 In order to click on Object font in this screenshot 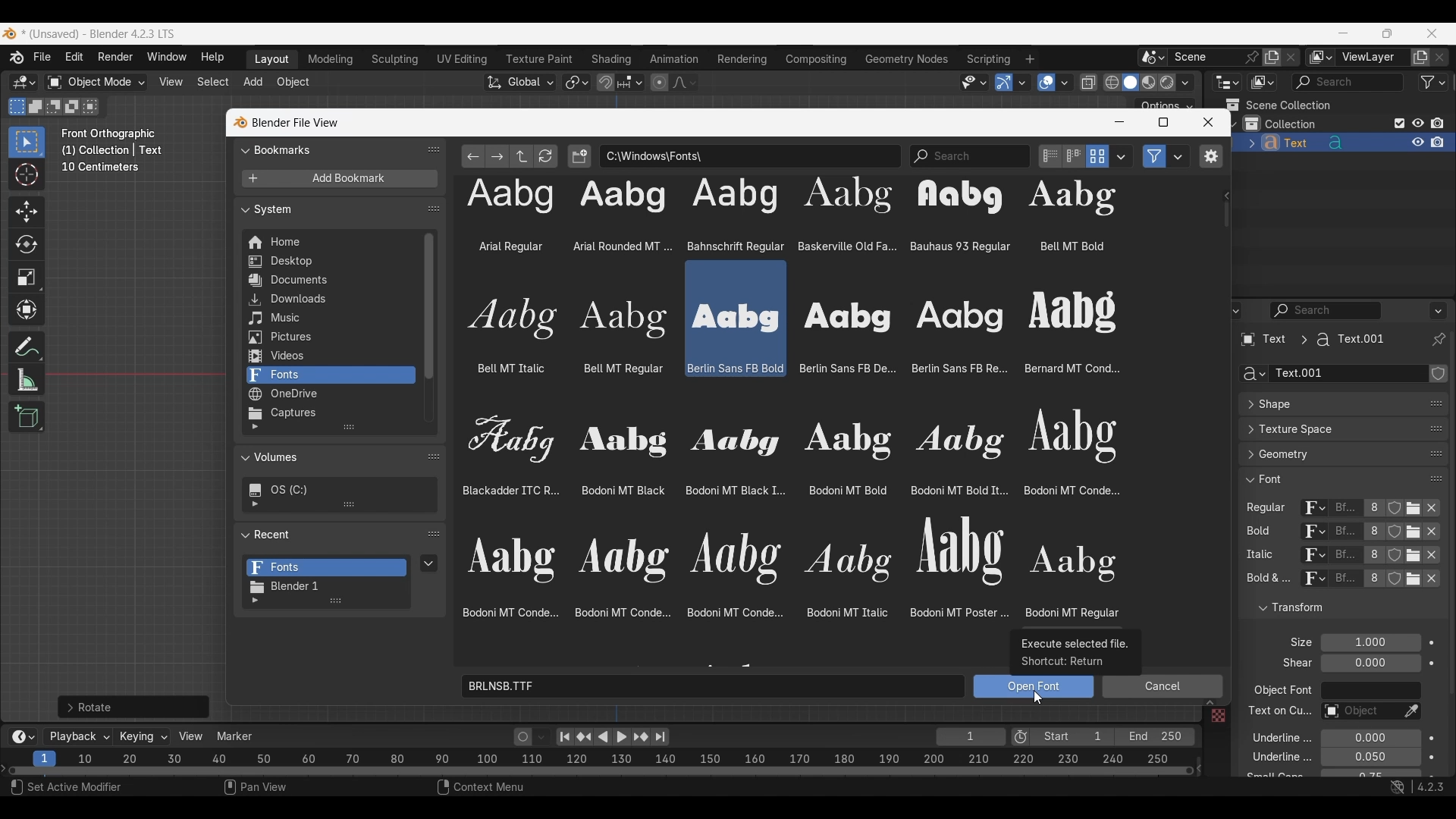, I will do `click(1370, 691)`.